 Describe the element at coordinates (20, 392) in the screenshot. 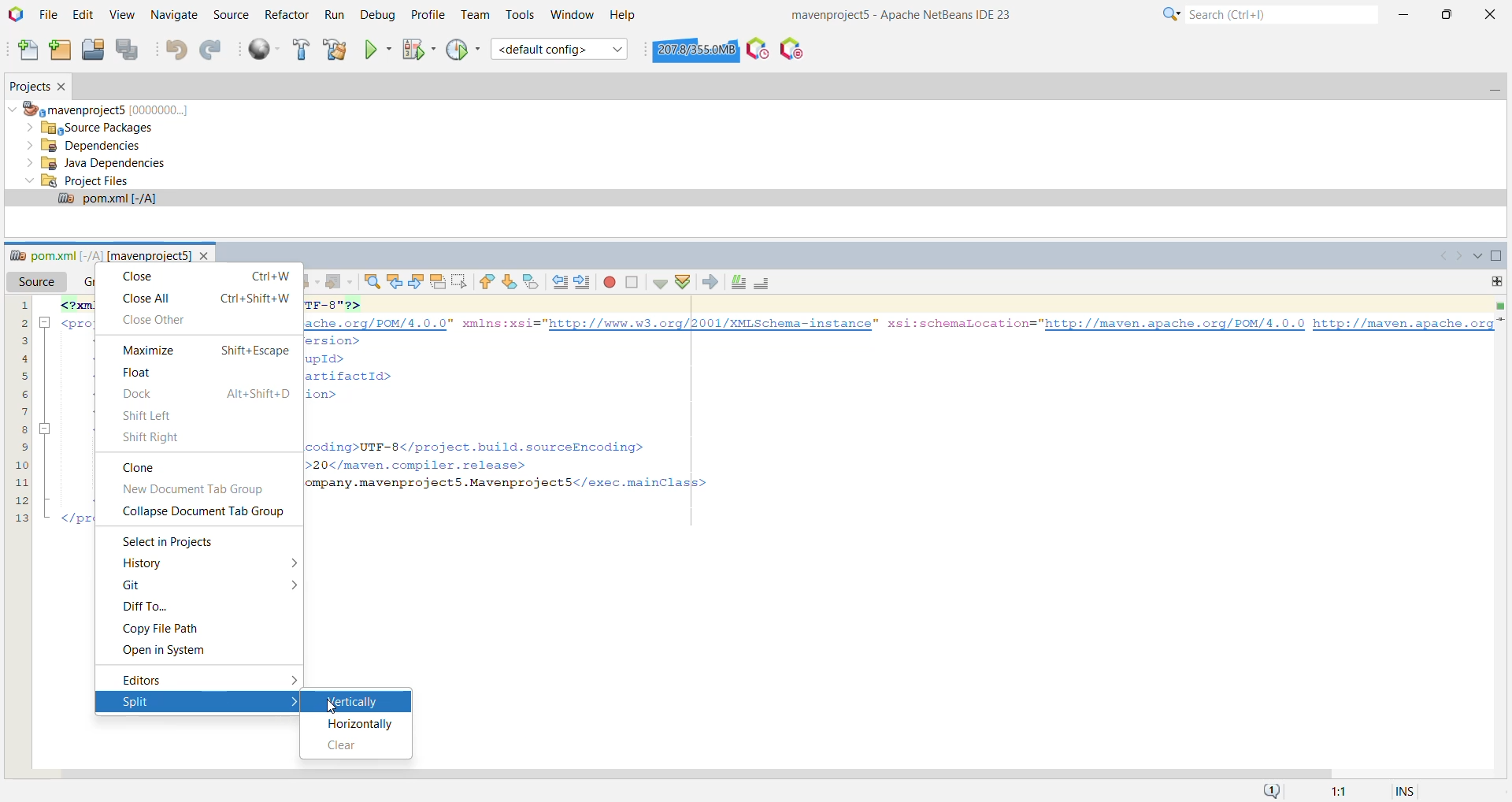

I see `6` at that location.